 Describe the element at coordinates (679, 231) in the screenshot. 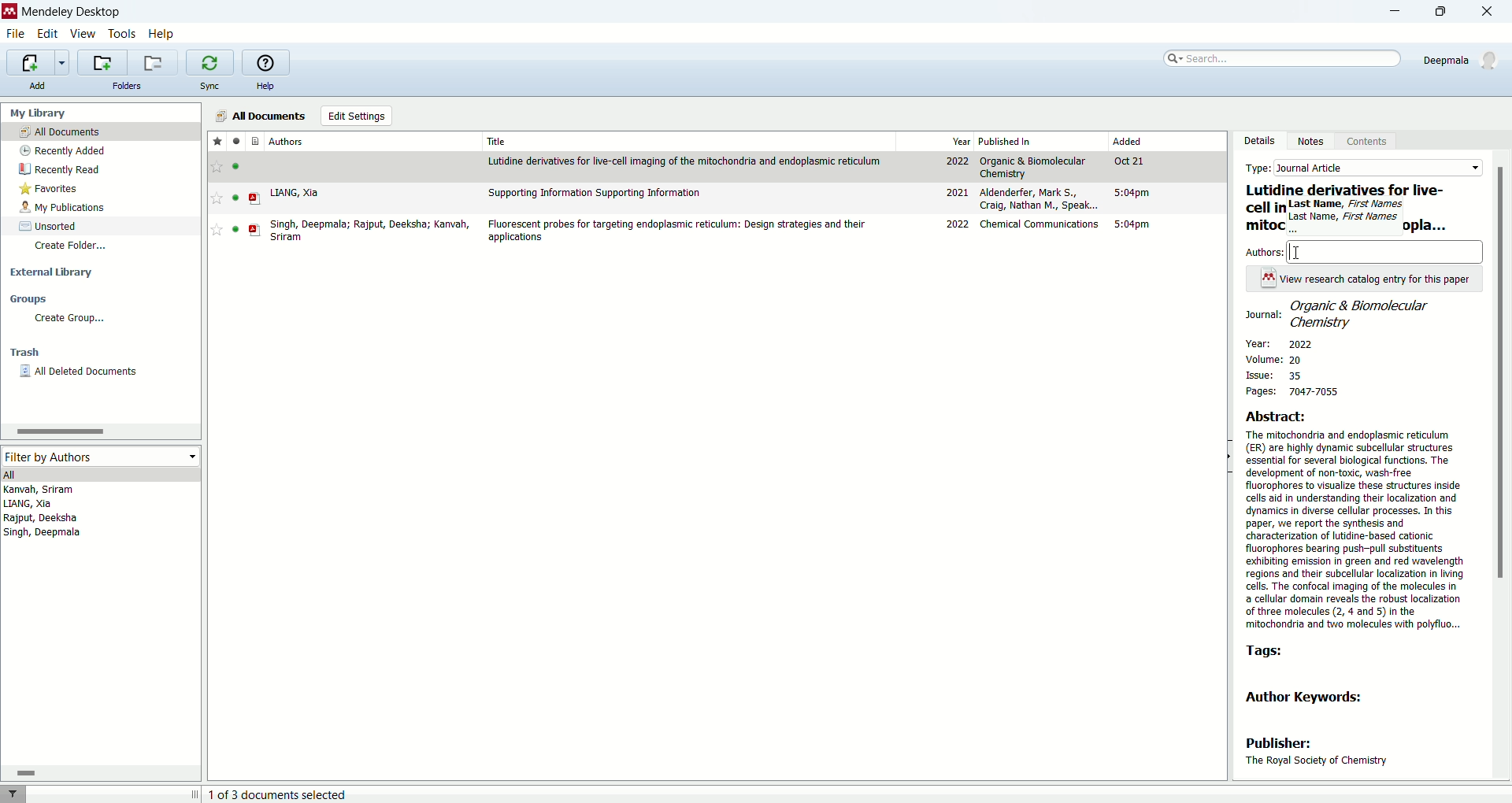

I see `Flourescent probes for targeting endoplasmic reticulum: Design strategies and their applications` at that location.